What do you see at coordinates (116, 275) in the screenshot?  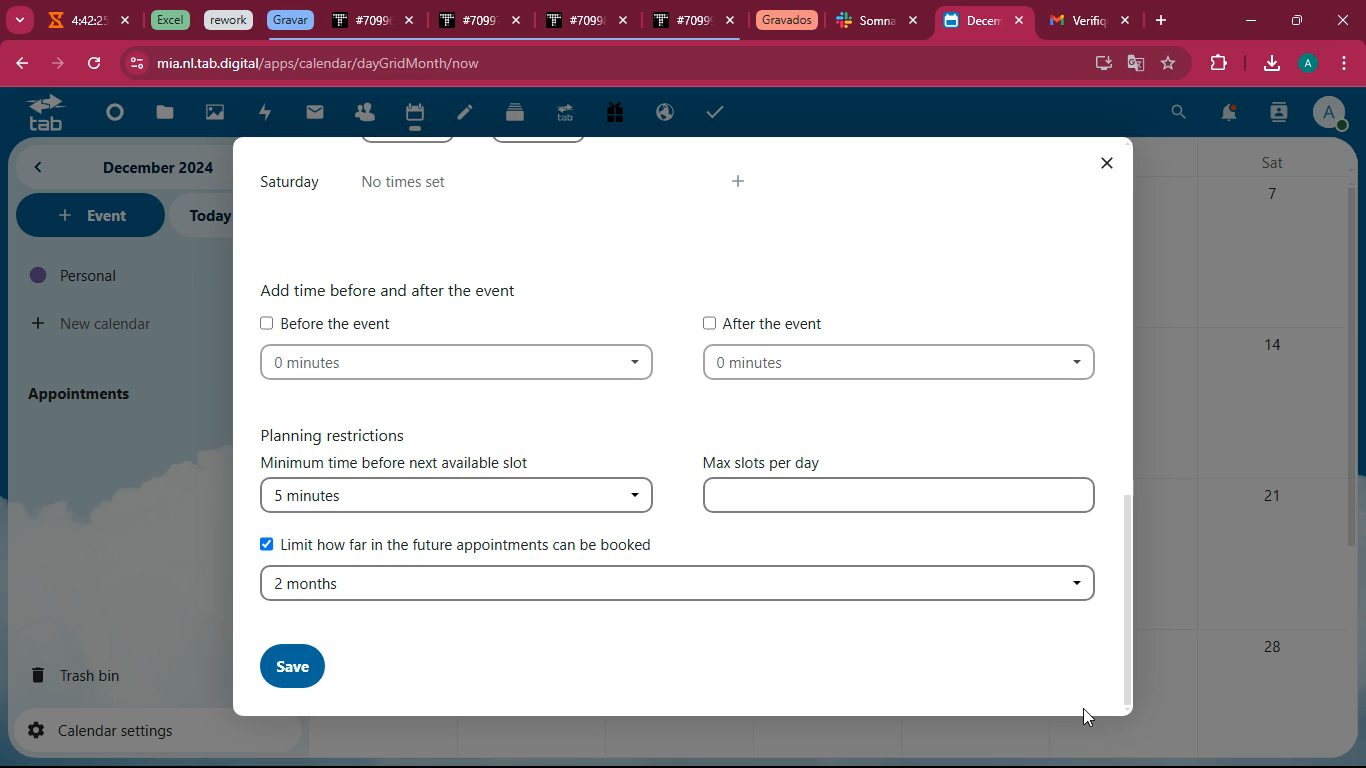 I see `personal` at bounding box center [116, 275].